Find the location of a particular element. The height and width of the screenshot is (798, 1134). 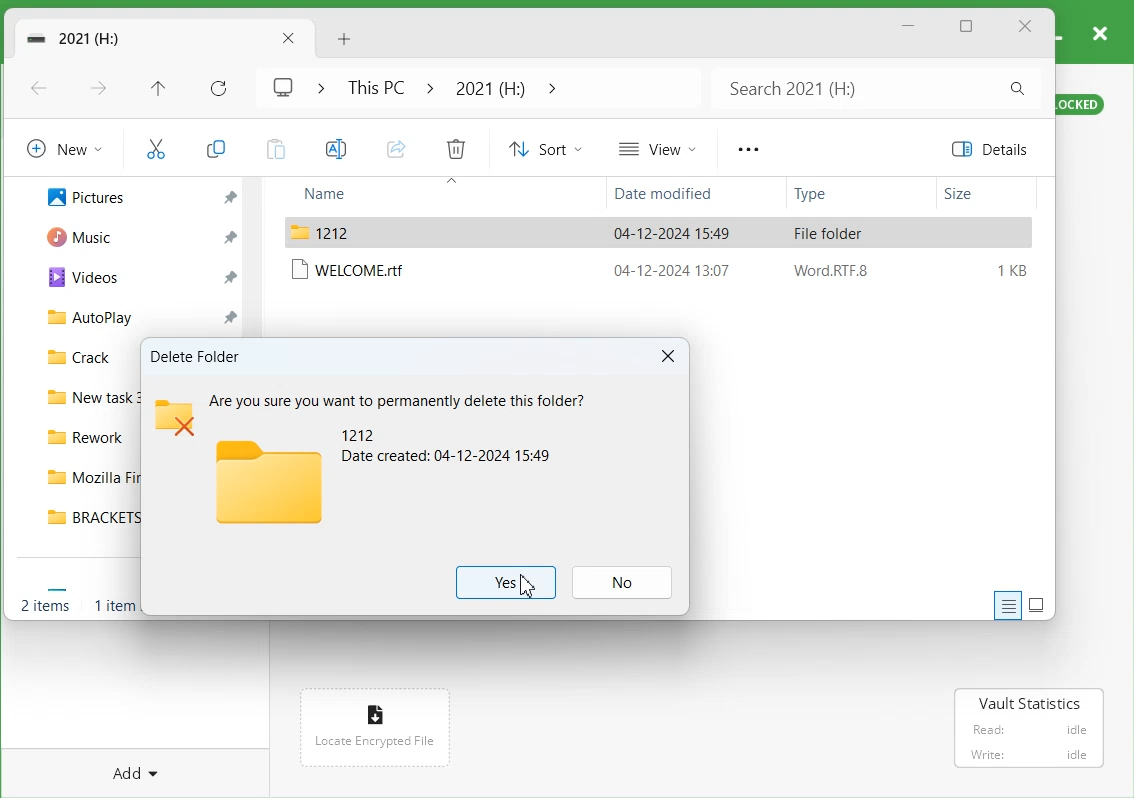

Up to recent file is located at coordinates (157, 88).